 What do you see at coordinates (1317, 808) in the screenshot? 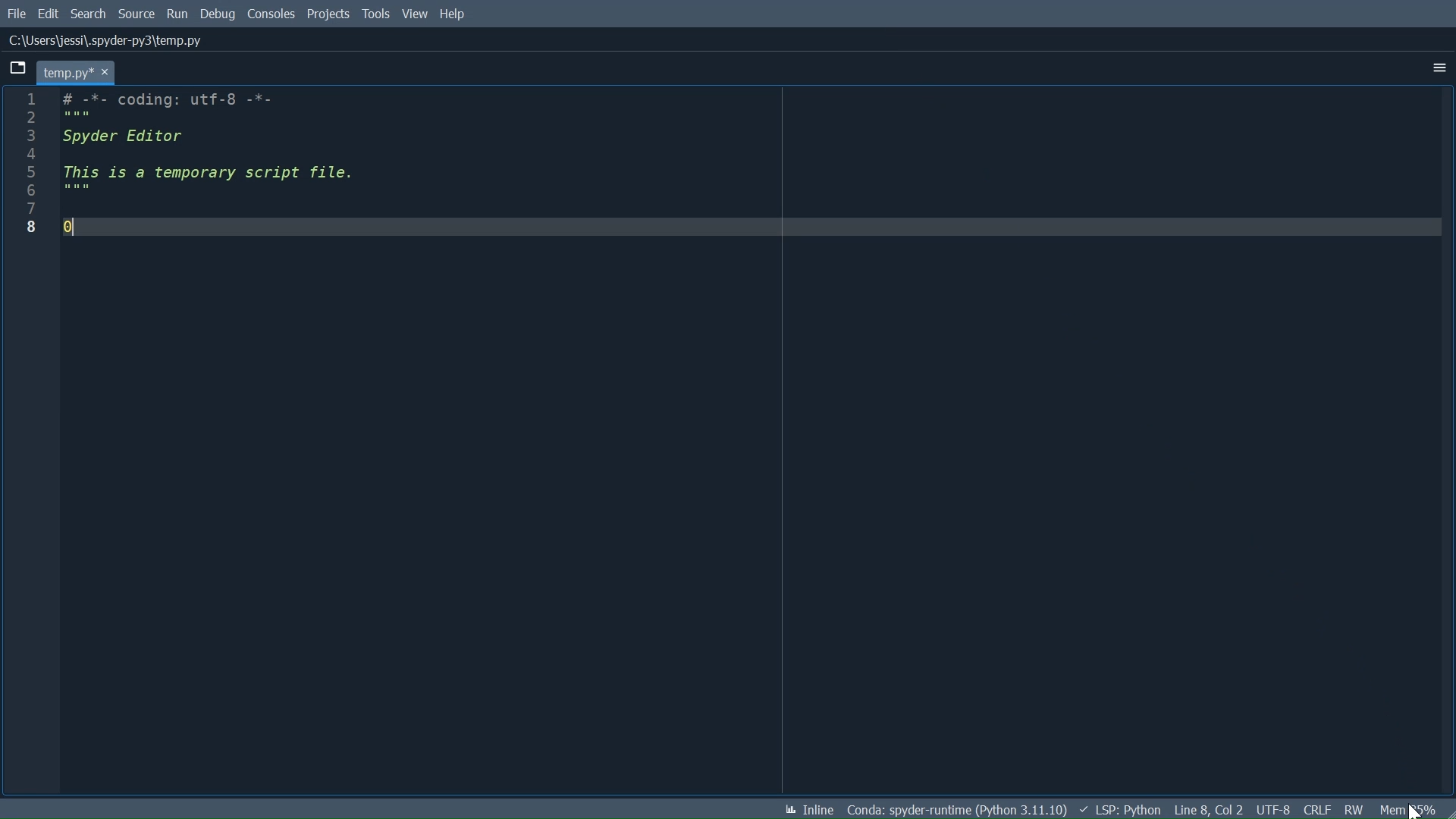
I see `File EQL Status` at bounding box center [1317, 808].